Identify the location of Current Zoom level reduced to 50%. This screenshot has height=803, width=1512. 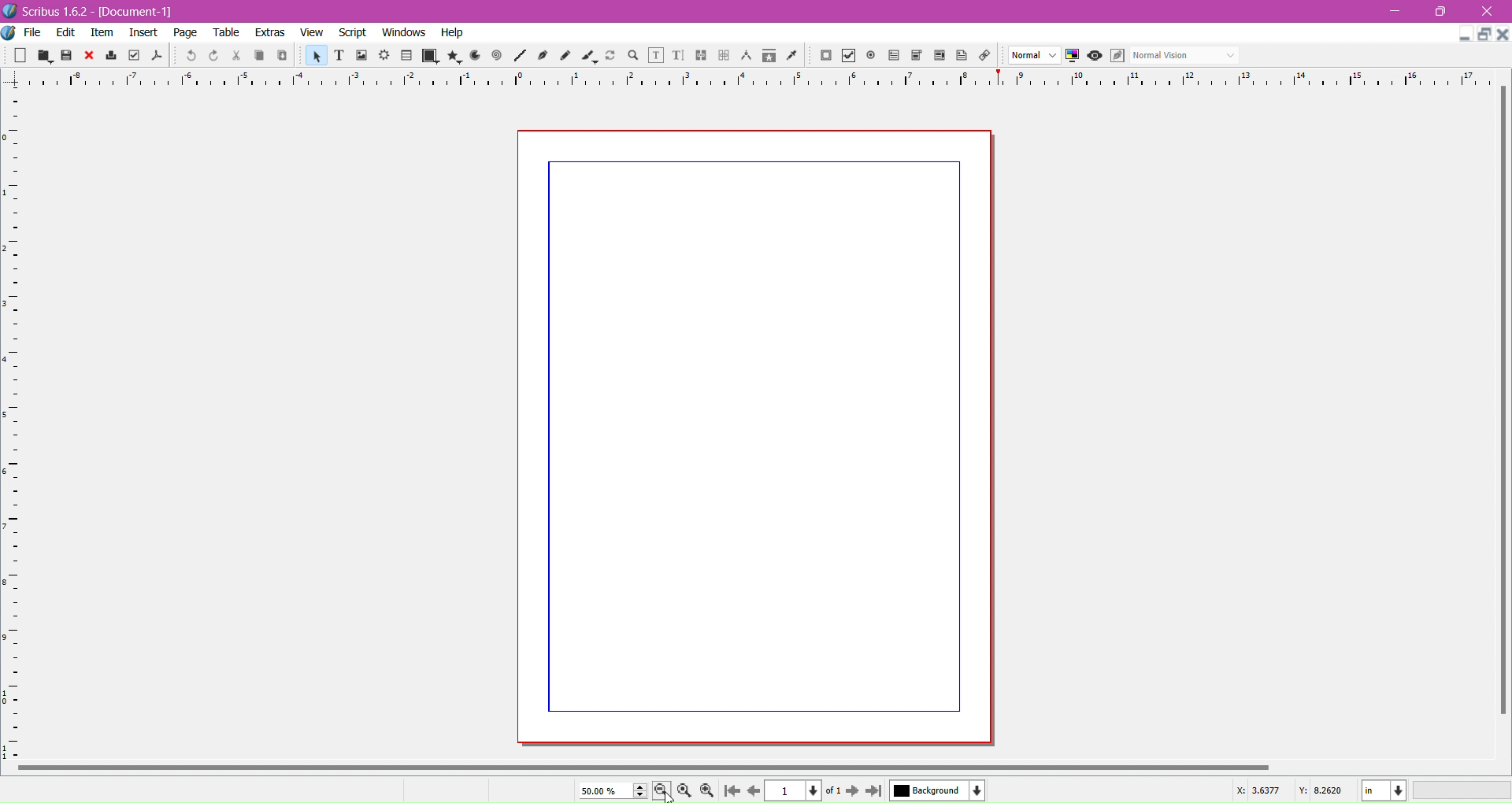
(613, 791).